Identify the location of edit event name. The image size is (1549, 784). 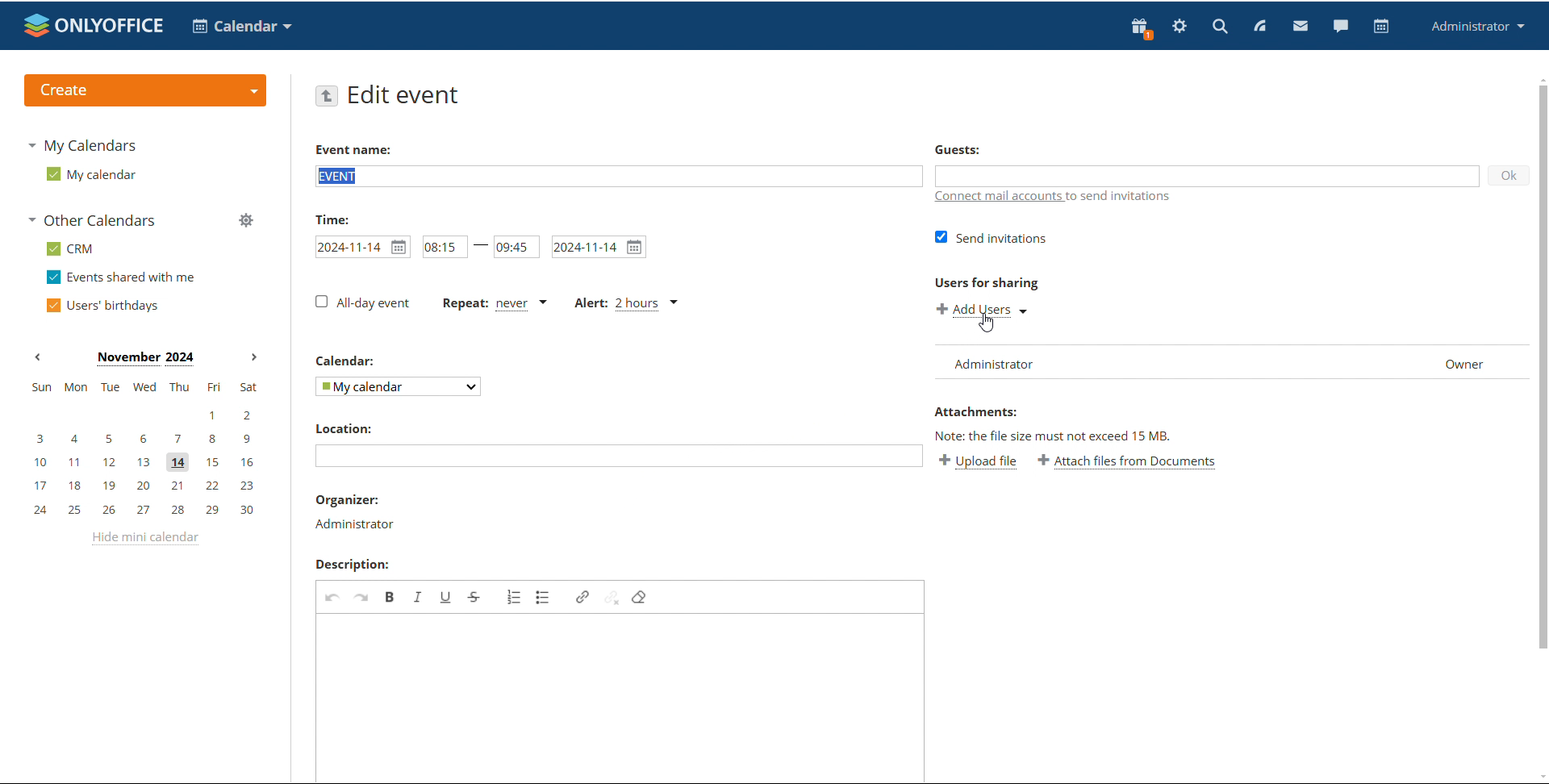
(619, 175).